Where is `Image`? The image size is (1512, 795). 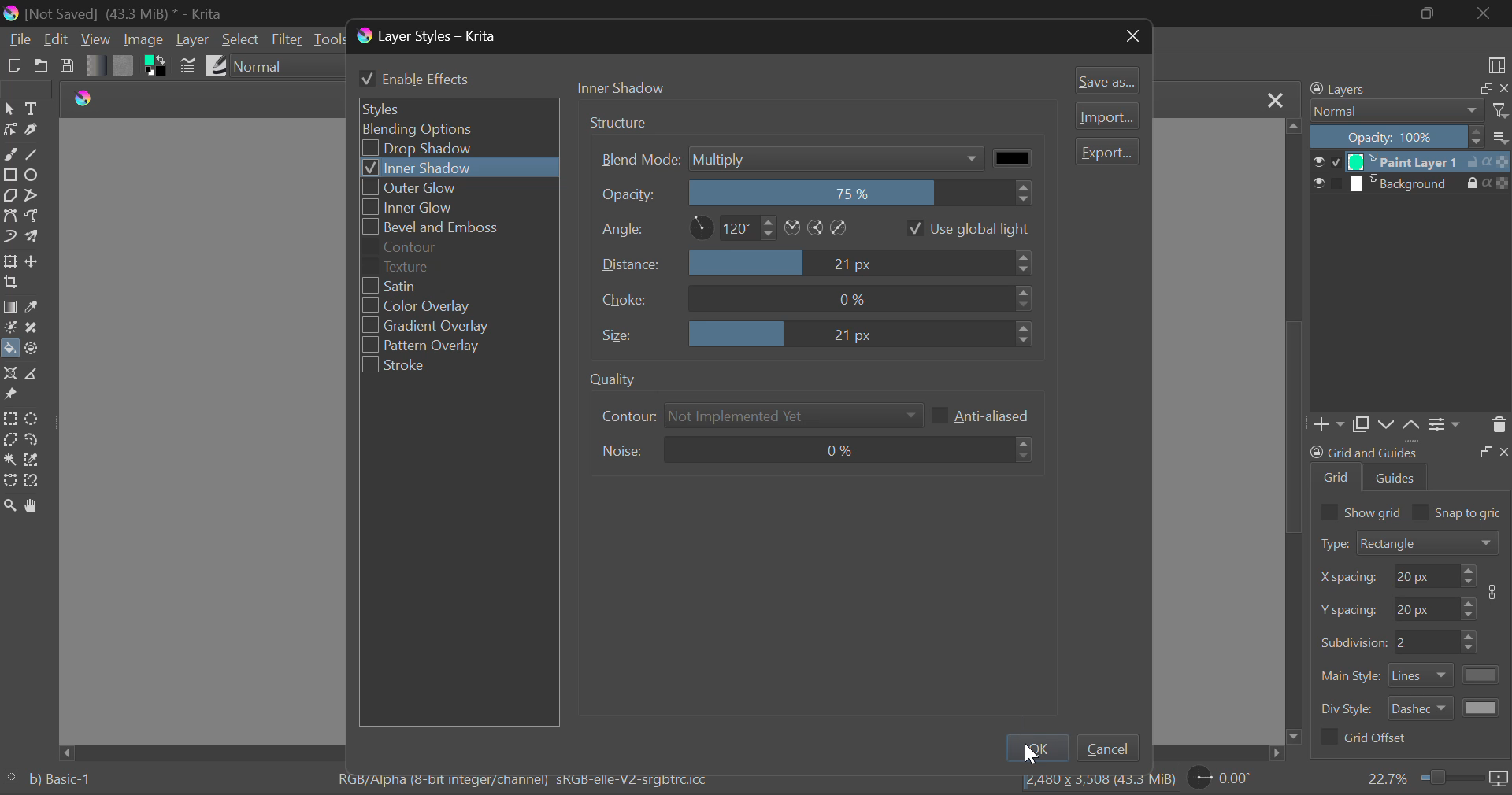 Image is located at coordinates (141, 40).